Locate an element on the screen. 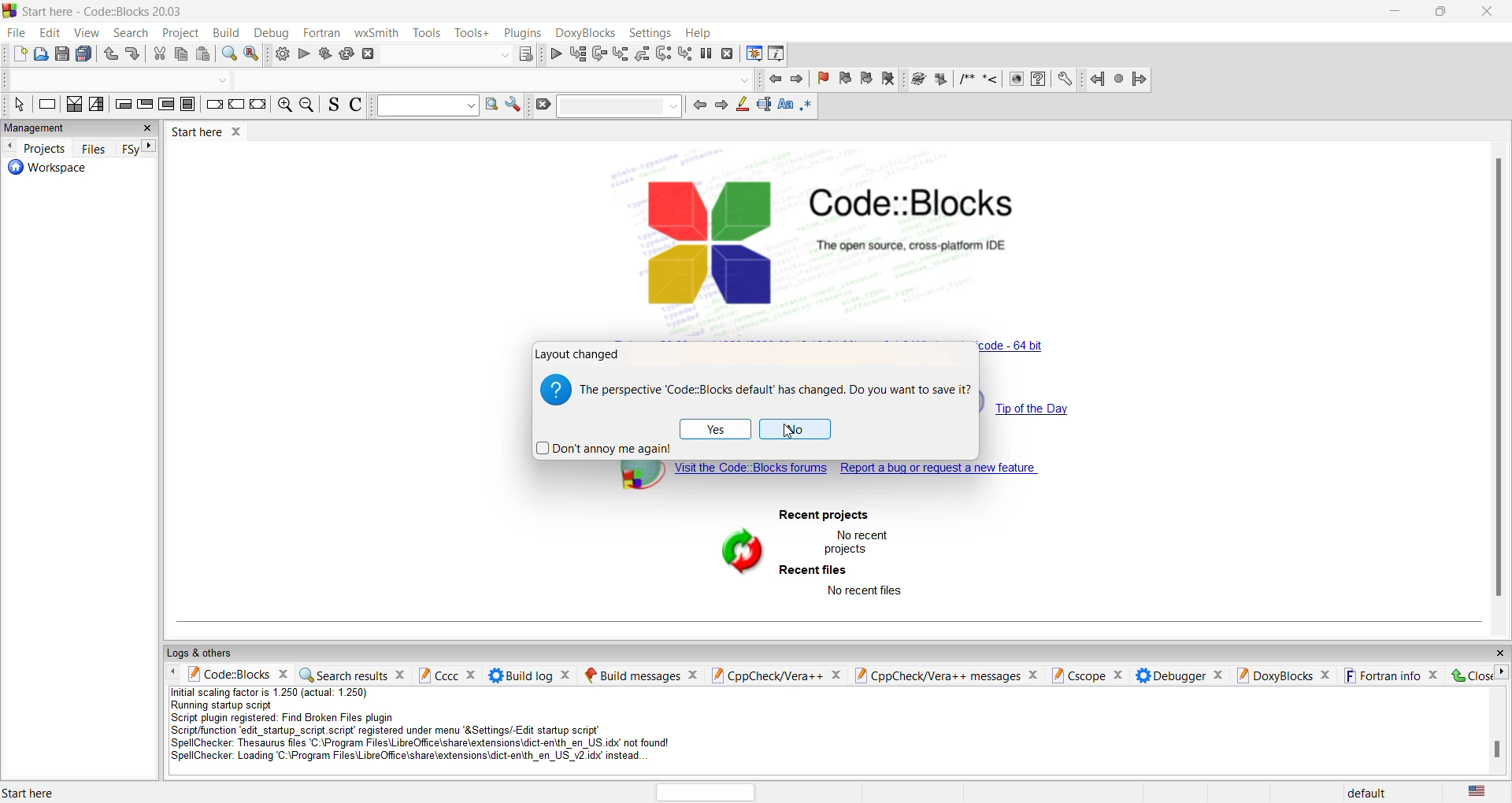 This screenshot has height=803, width=1512. text language is located at coordinates (1484, 791).